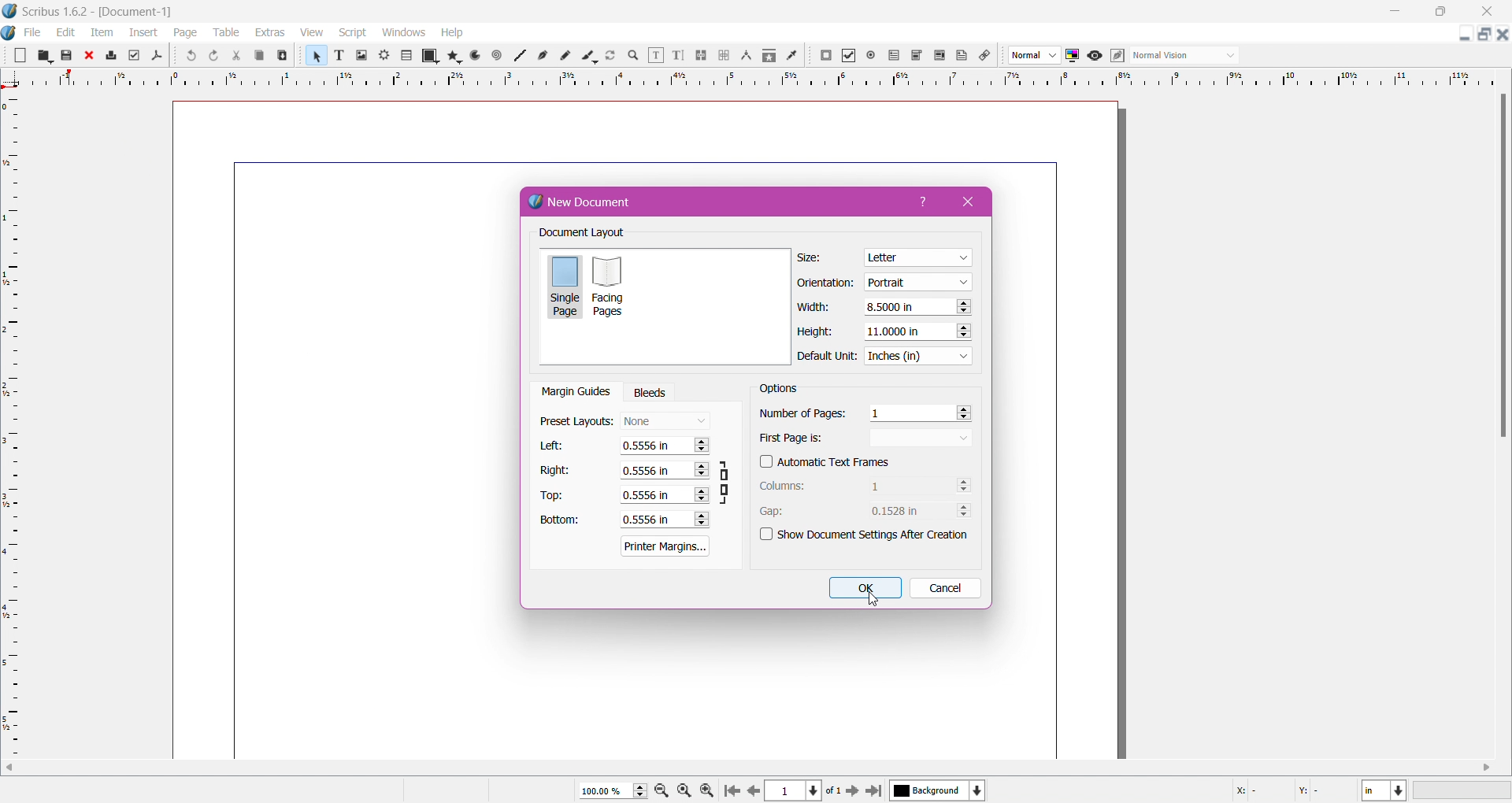 Image resolution: width=1512 pixels, height=803 pixels. What do you see at coordinates (685, 790) in the screenshot?
I see `zoom icon` at bounding box center [685, 790].